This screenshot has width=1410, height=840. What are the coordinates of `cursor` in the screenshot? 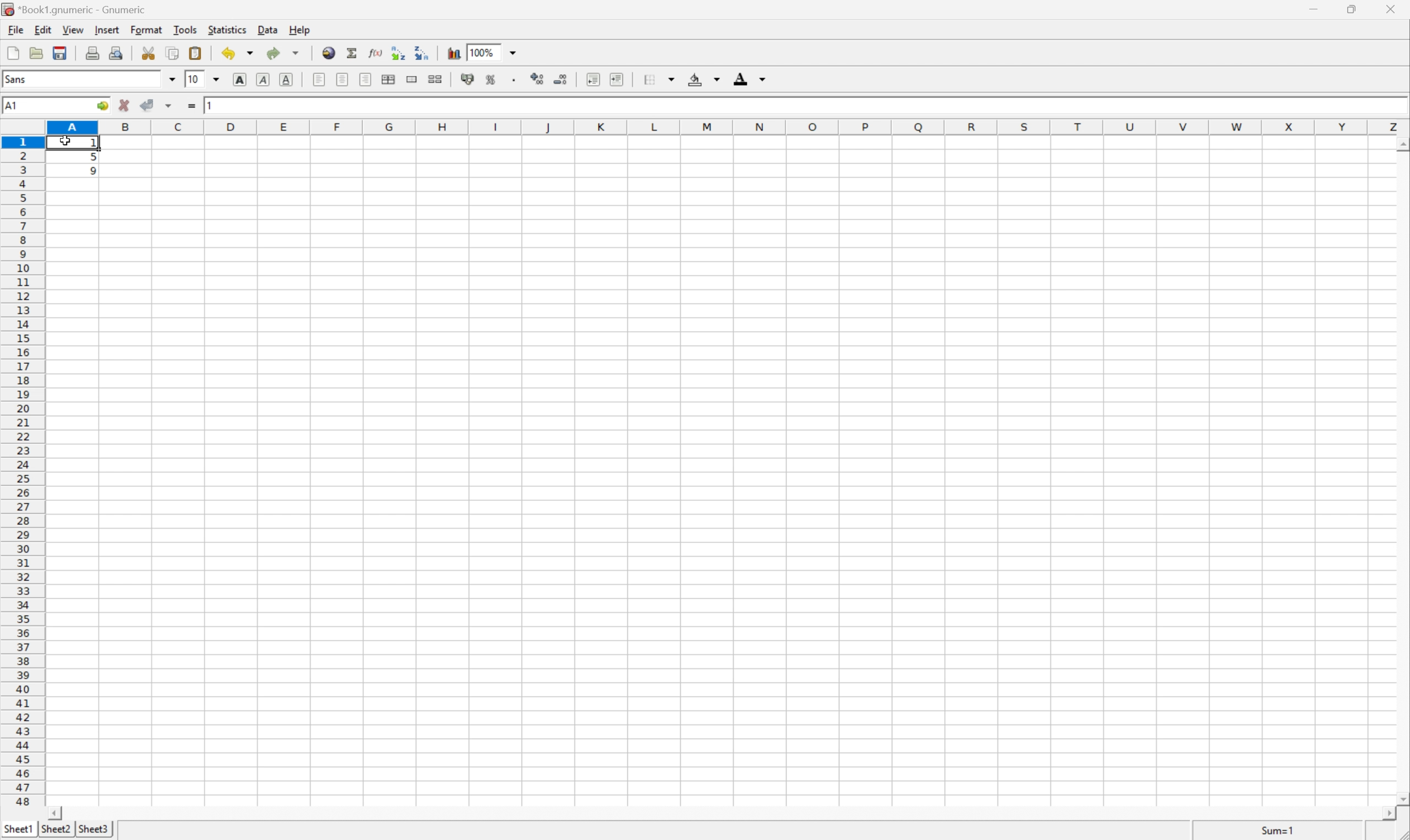 It's located at (65, 140).